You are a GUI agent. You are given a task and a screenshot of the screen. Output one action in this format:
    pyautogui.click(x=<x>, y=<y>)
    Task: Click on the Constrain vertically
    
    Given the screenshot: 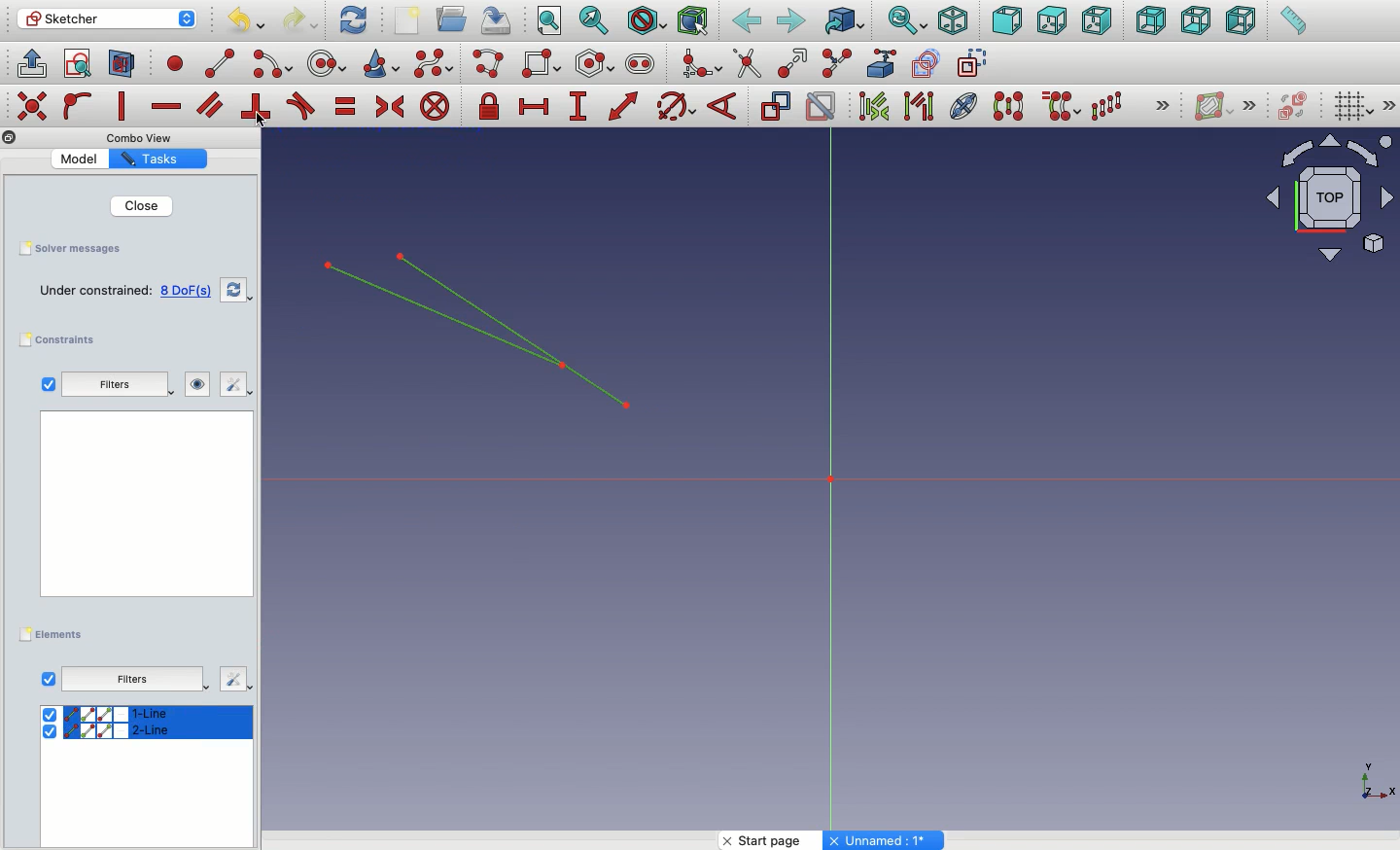 What is the action you would take?
    pyautogui.click(x=124, y=106)
    